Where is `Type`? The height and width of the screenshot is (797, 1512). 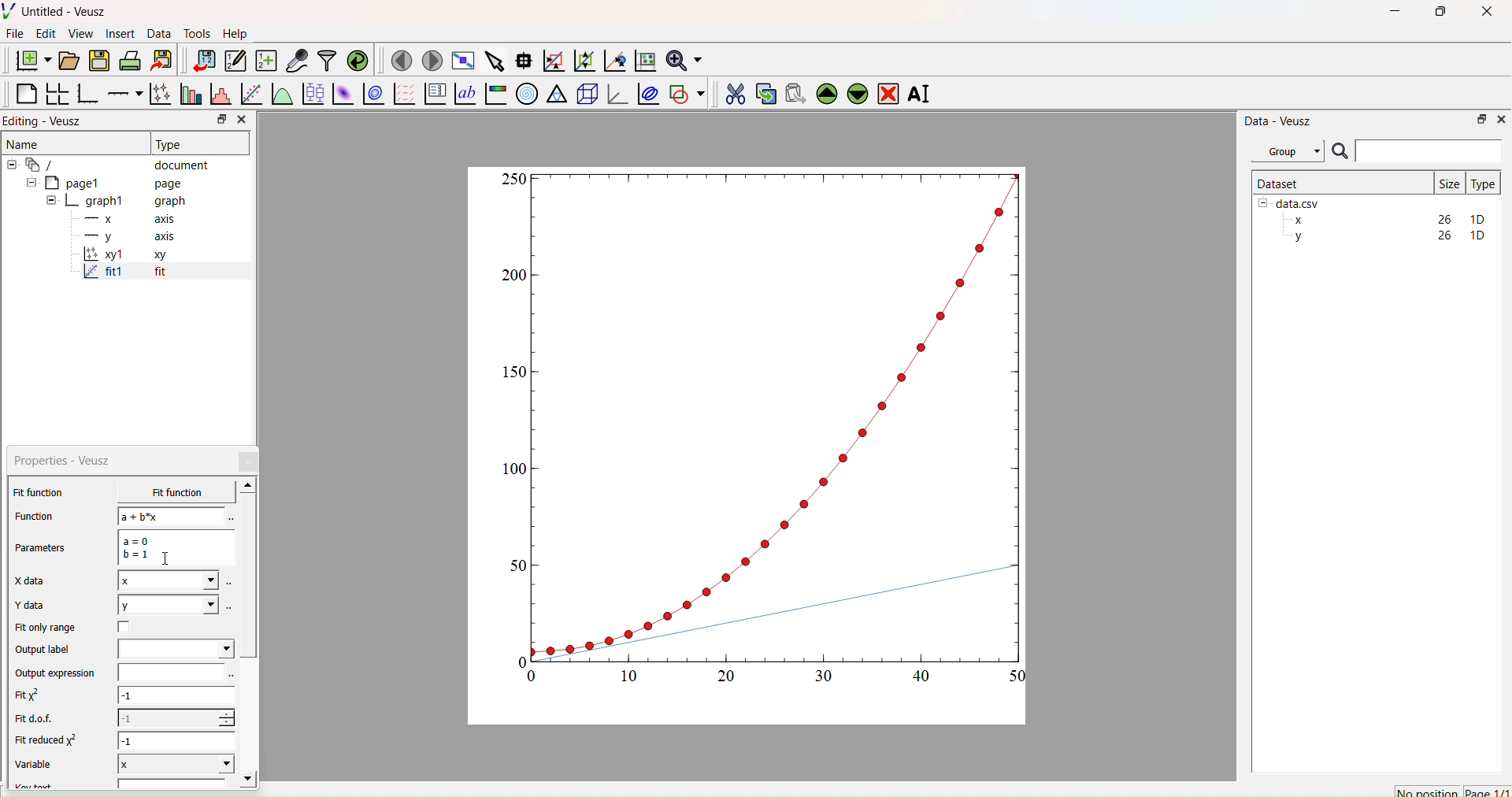
Type is located at coordinates (171, 144).